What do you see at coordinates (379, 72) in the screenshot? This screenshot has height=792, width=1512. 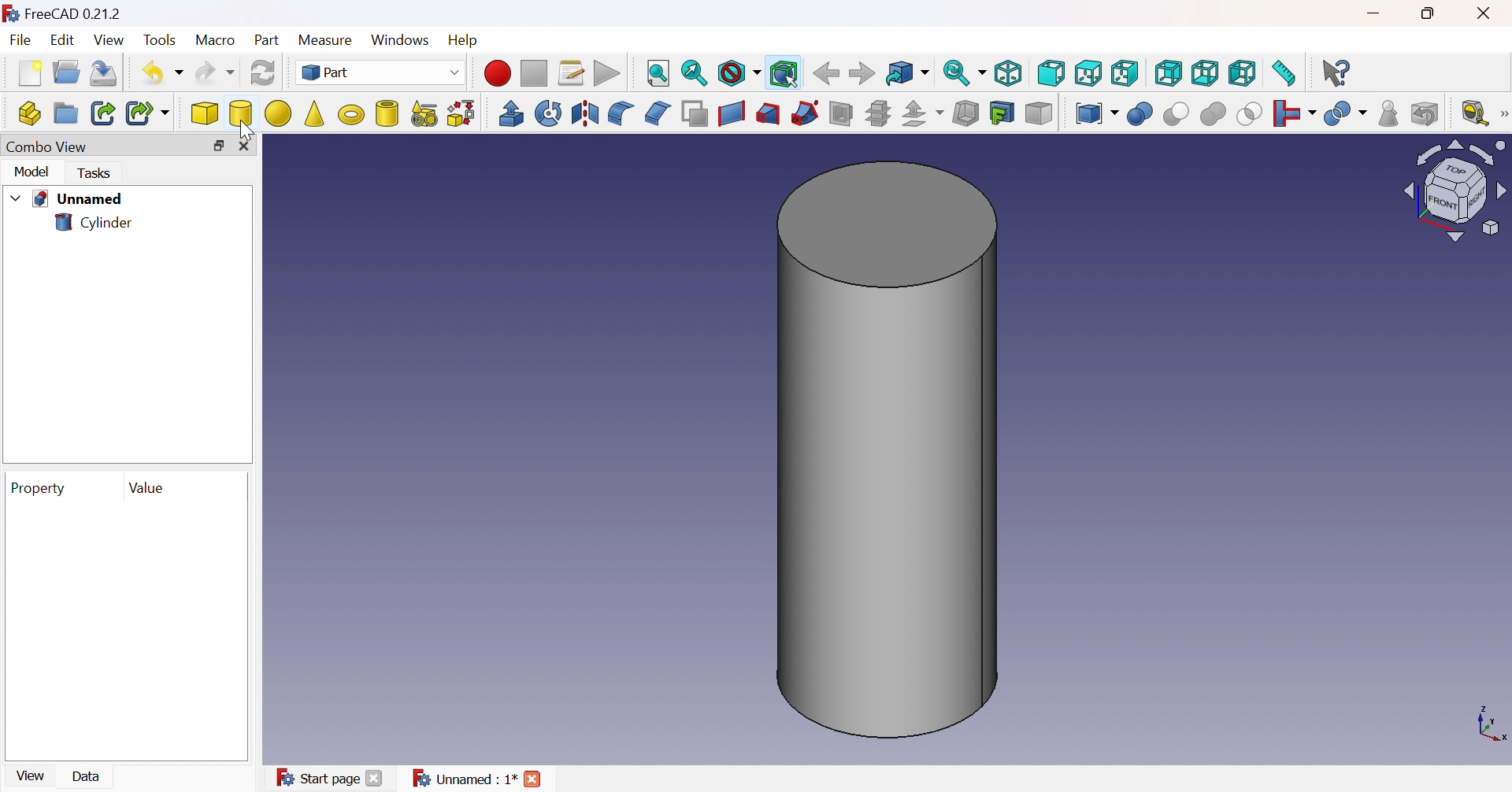 I see `Part` at bounding box center [379, 72].